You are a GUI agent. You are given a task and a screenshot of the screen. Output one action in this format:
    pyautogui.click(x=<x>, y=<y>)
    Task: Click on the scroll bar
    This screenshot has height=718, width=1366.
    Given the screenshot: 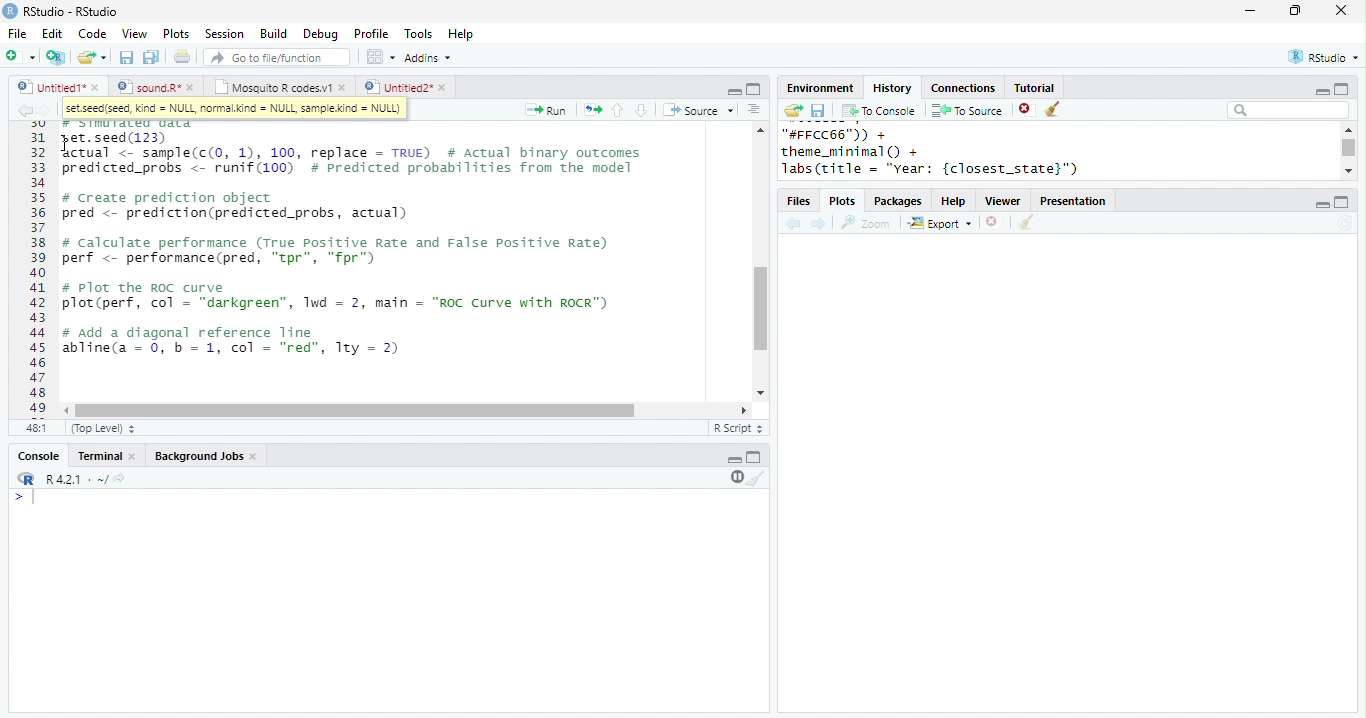 What is the action you would take?
    pyautogui.click(x=355, y=411)
    